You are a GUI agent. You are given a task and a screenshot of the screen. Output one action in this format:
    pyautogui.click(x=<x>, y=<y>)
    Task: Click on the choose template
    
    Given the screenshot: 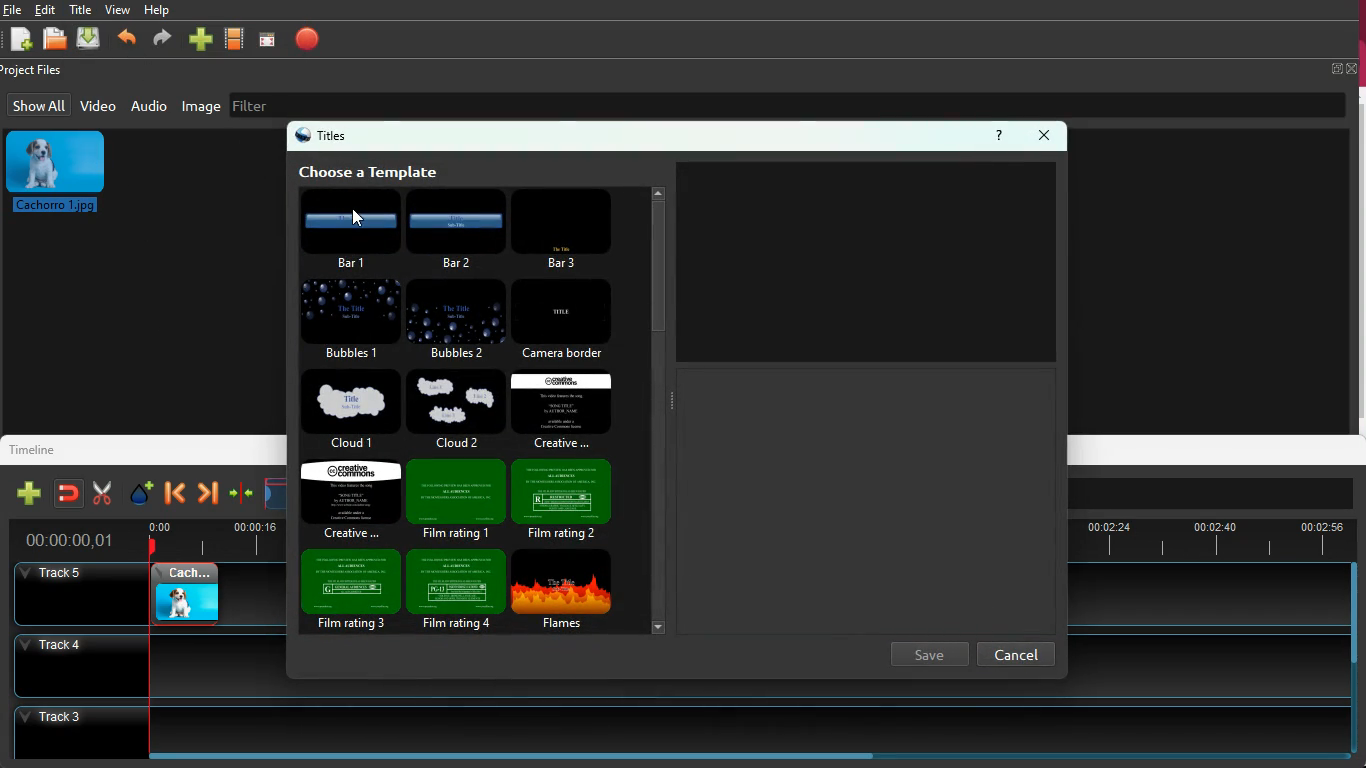 What is the action you would take?
    pyautogui.click(x=371, y=170)
    